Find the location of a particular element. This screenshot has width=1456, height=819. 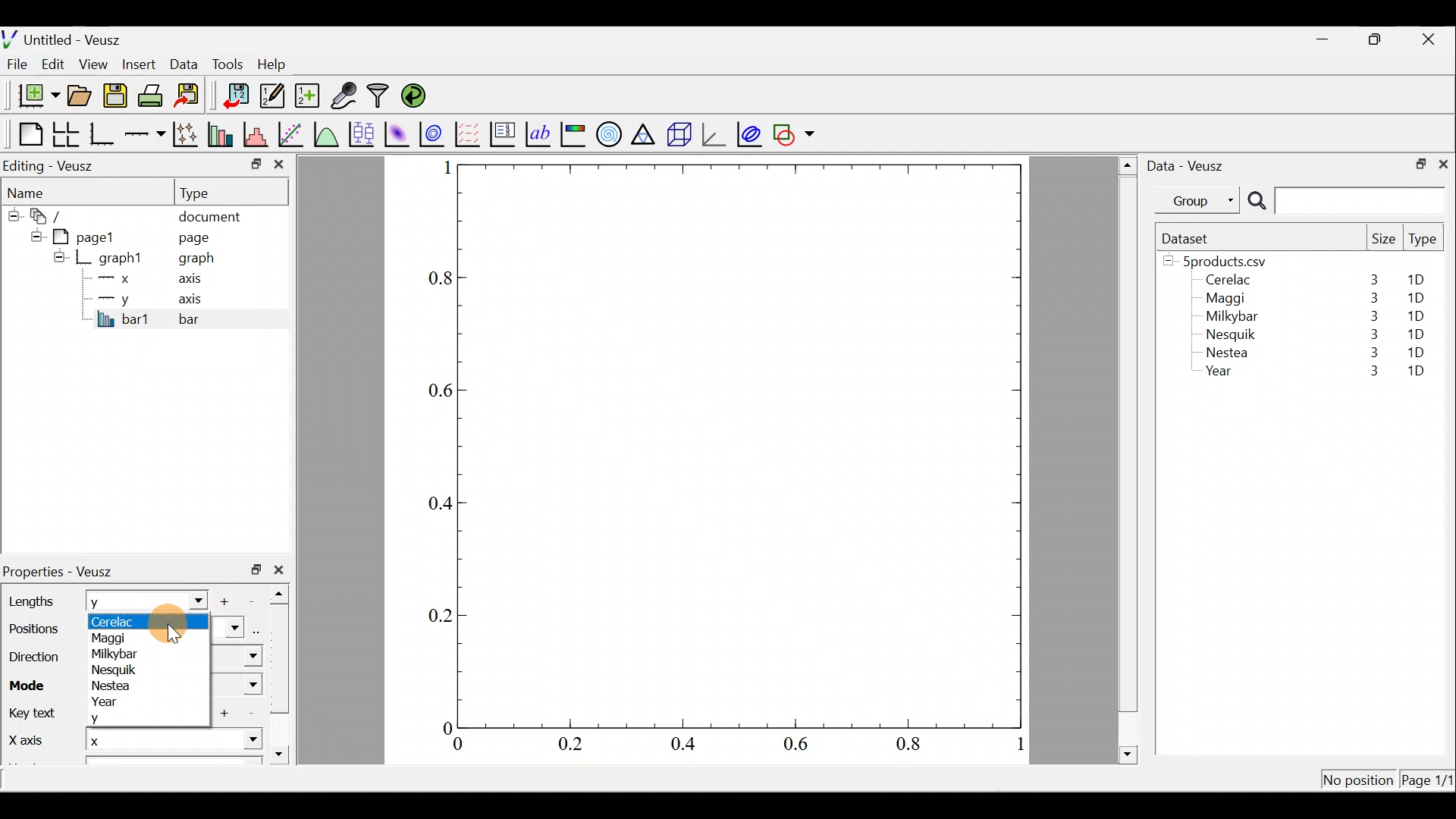

Open a document is located at coordinates (81, 97).